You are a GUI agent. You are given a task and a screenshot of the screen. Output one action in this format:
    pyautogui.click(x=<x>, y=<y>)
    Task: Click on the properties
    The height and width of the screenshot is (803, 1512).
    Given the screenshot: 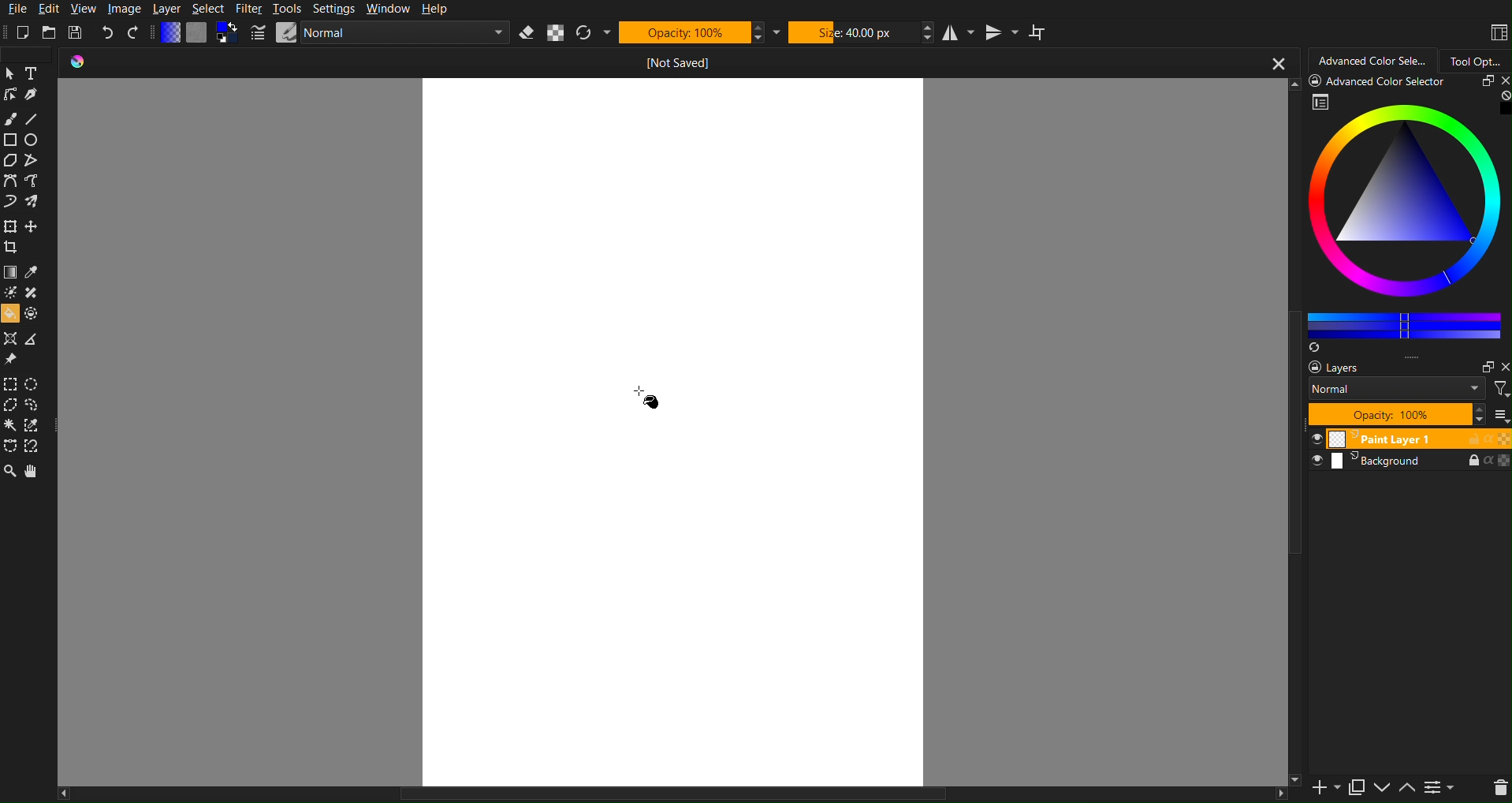 What is the action you would take?
    pyautogui.click(x=1321, y=102)
    